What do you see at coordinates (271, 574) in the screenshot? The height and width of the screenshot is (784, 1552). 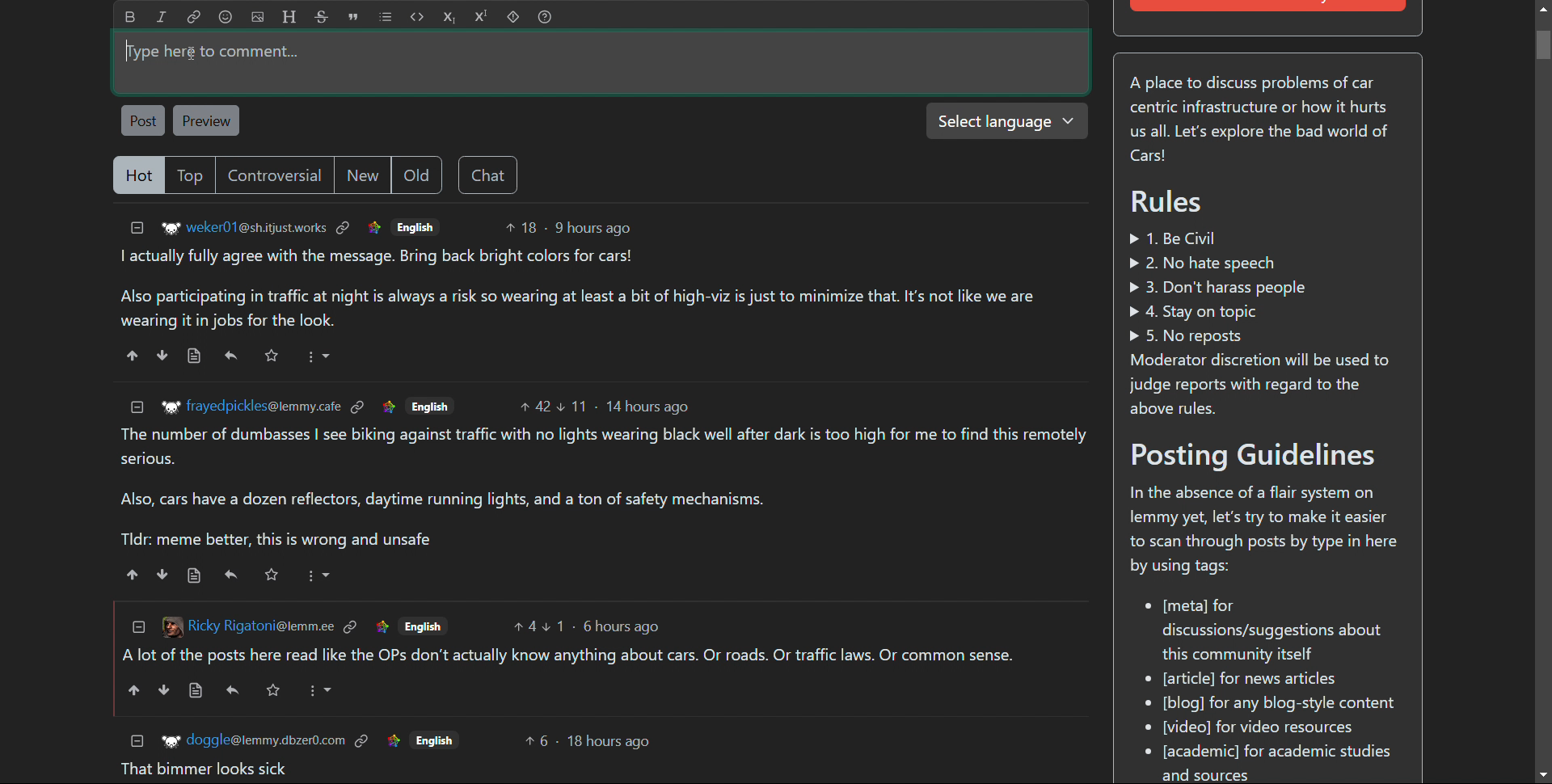 I see `Starred` at bounding box center [271, 574].